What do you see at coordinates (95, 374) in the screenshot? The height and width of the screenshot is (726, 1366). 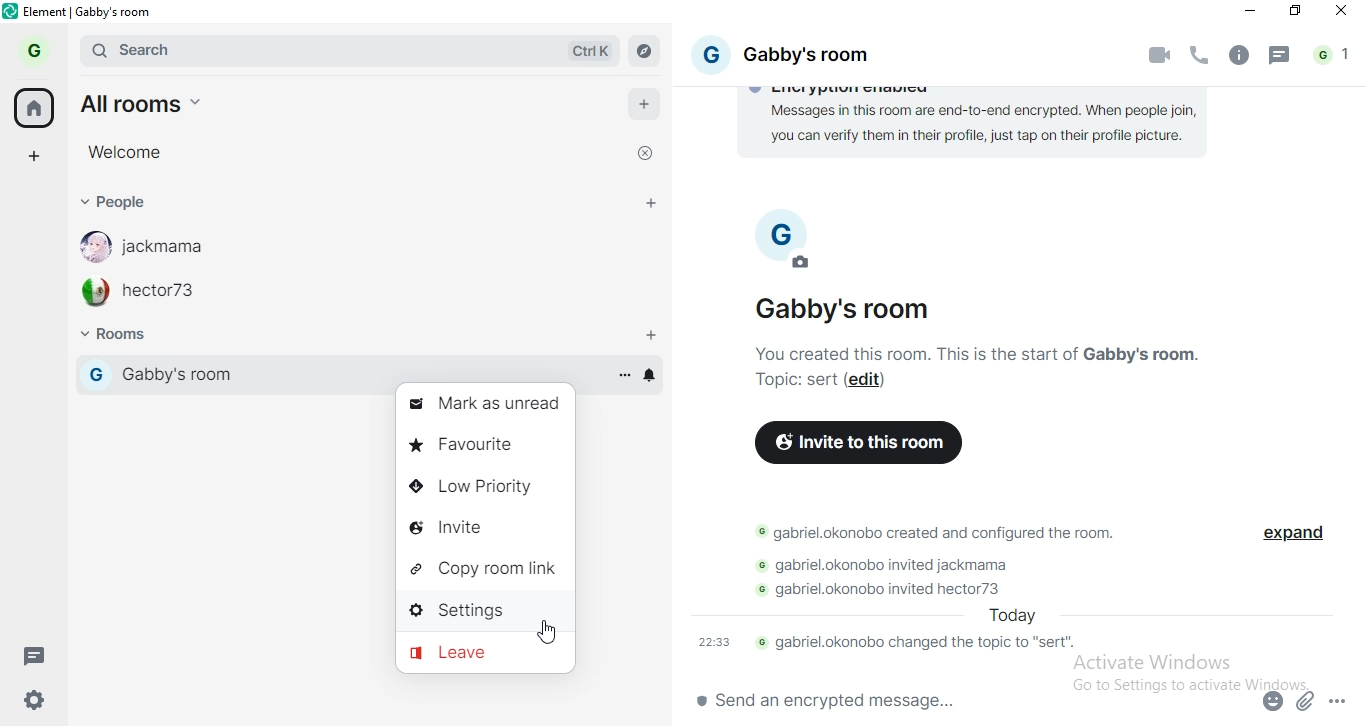 I see `G` at bounding box center [95, 374].